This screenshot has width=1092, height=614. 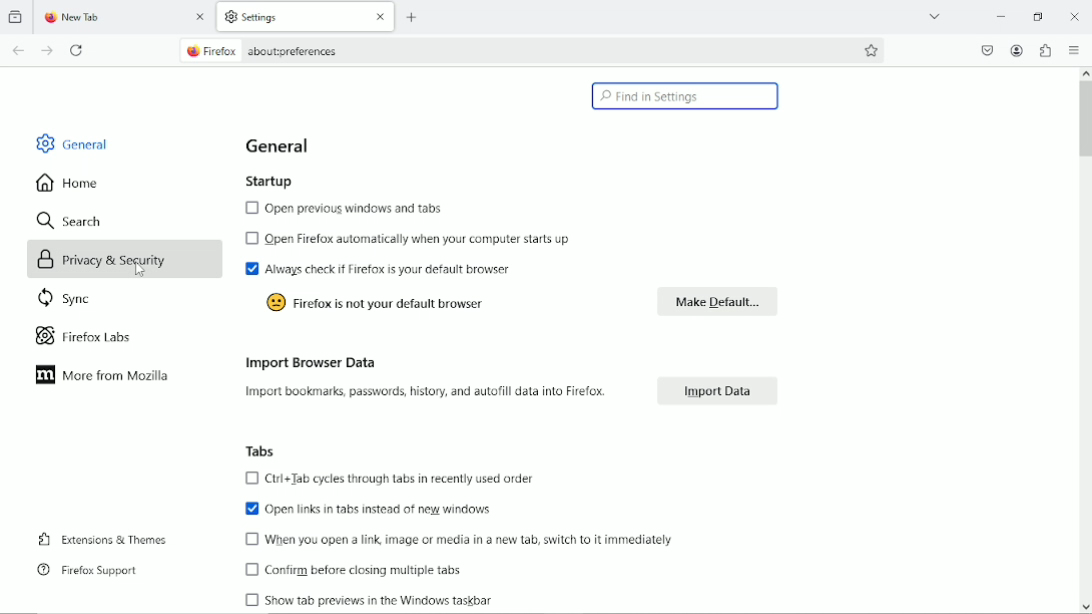 What do you see at coordinates (140, 269) in the screenshot?
I see `cursor movement` at bounding box center [140, 269].